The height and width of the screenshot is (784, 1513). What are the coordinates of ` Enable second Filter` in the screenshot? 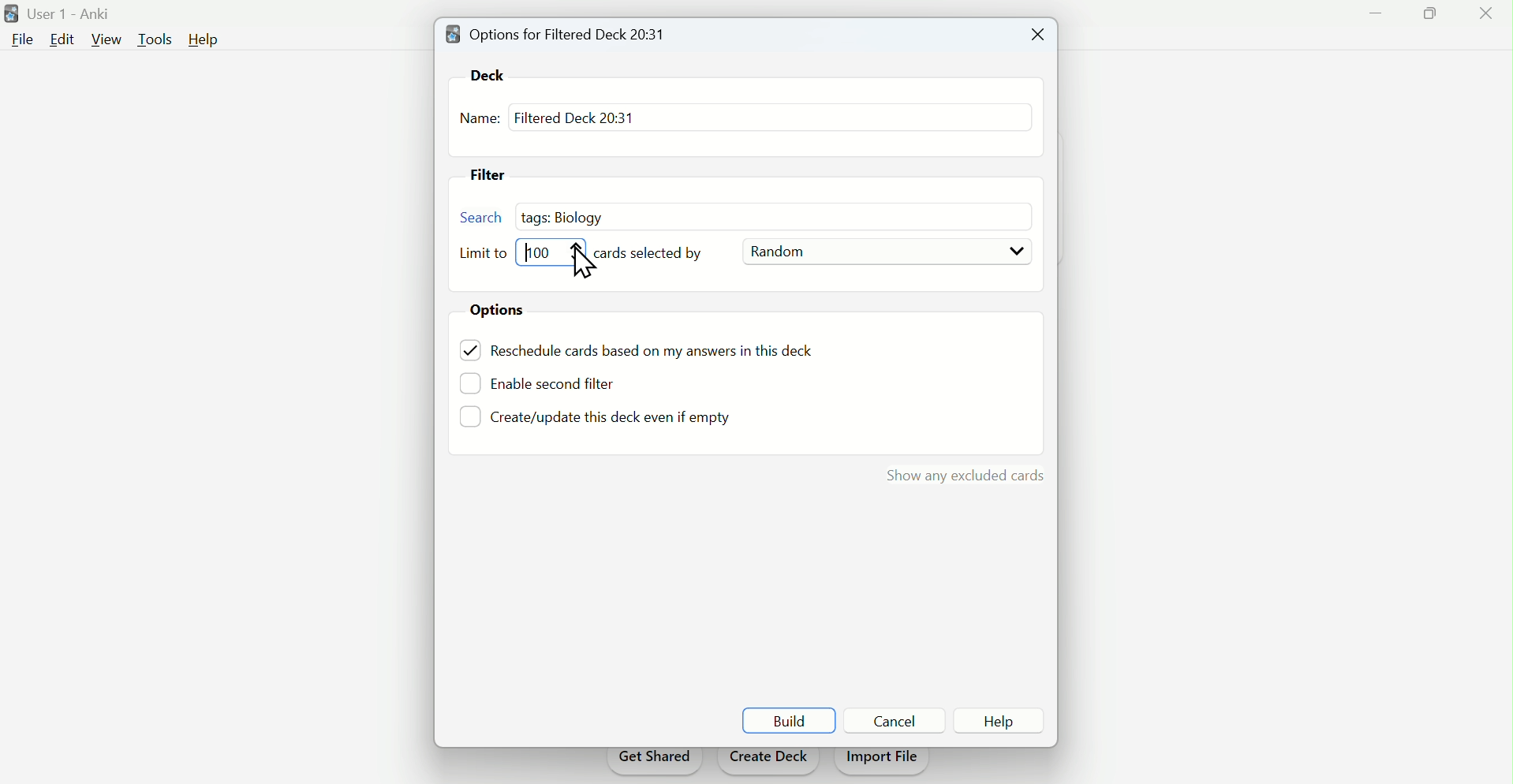 It's located at (564, 382).